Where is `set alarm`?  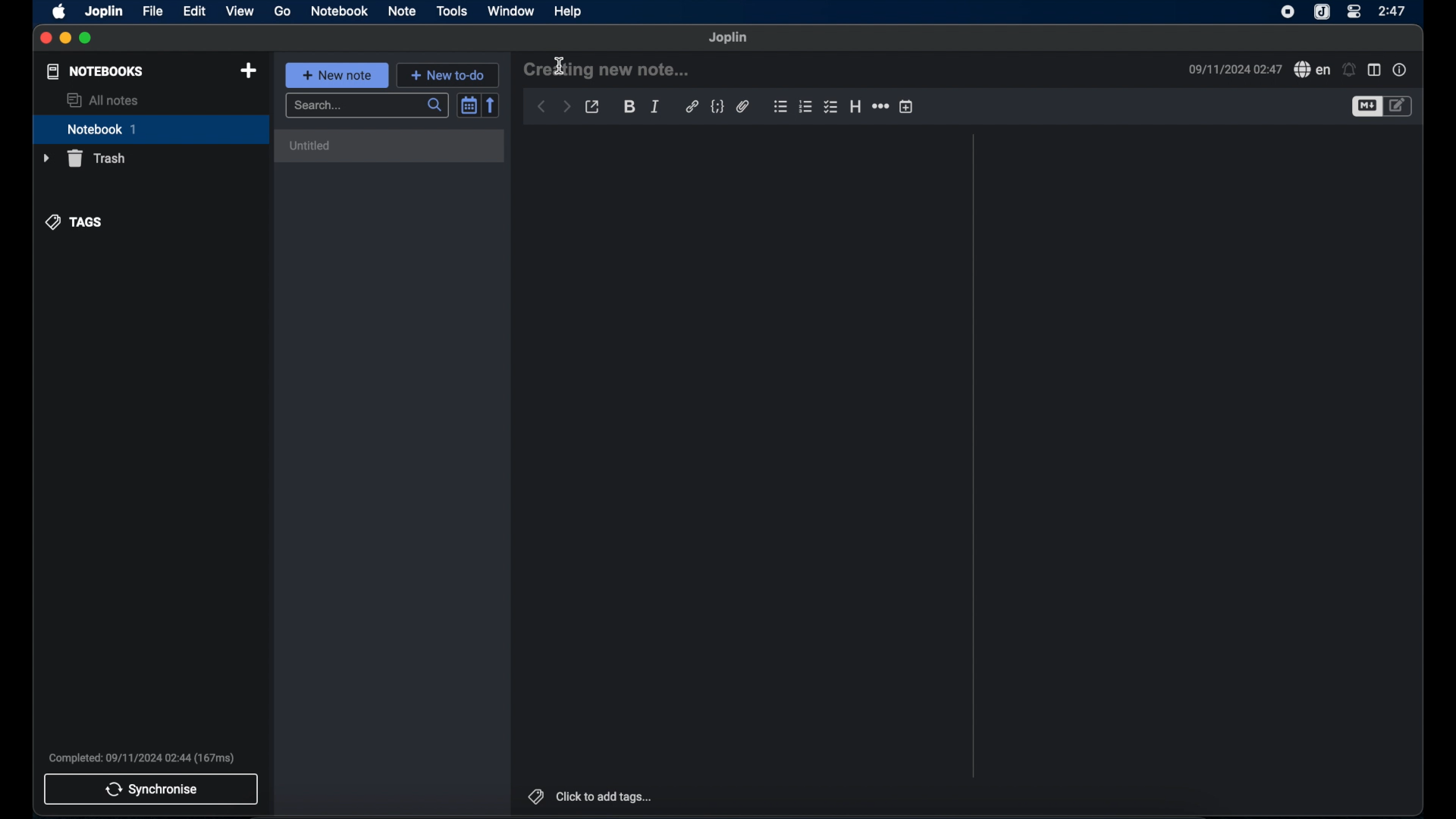
set alarm is located at coordinates (1348, 70).